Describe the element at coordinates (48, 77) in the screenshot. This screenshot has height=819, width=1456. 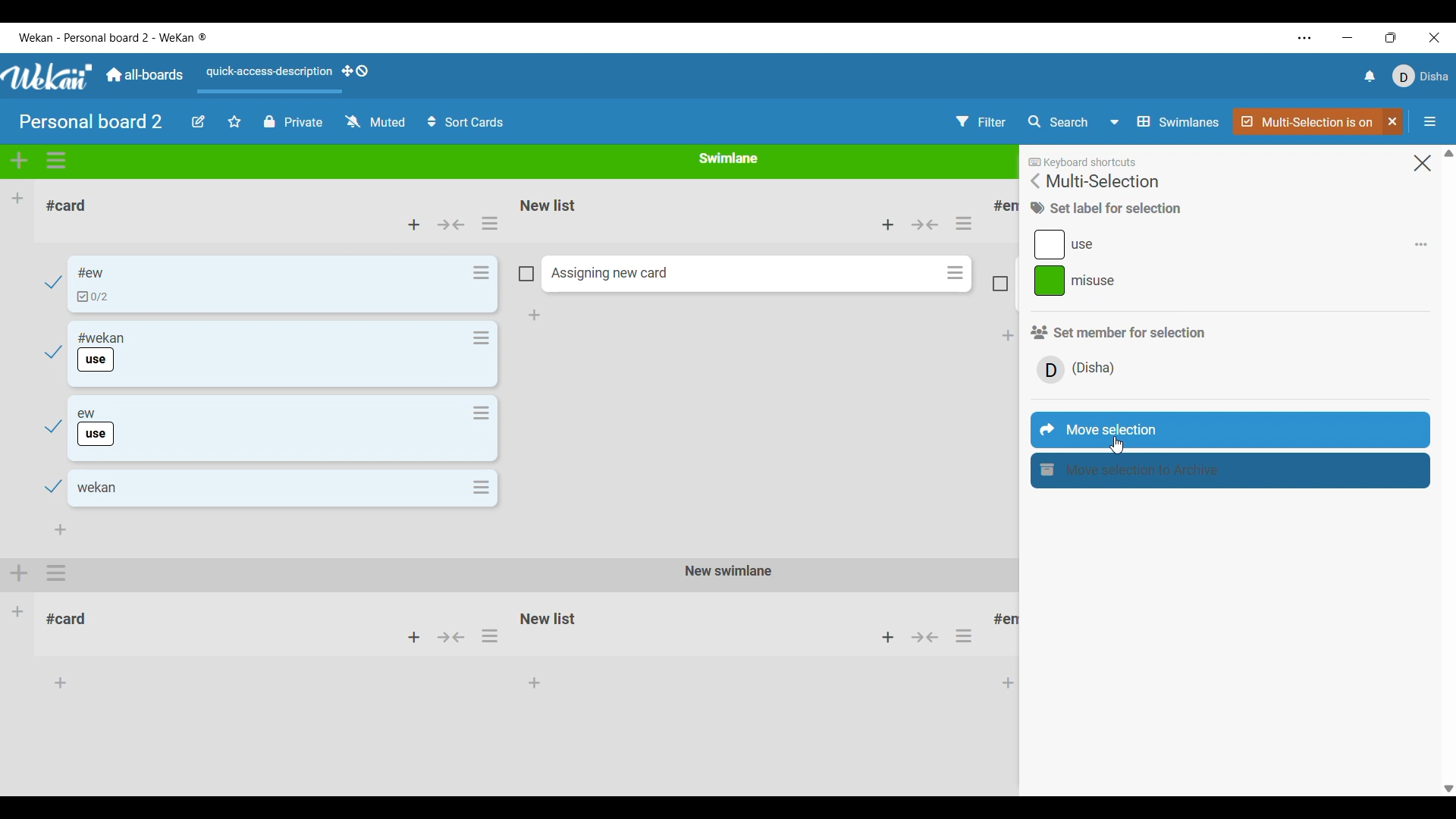
I see `Logo of software` at that location.